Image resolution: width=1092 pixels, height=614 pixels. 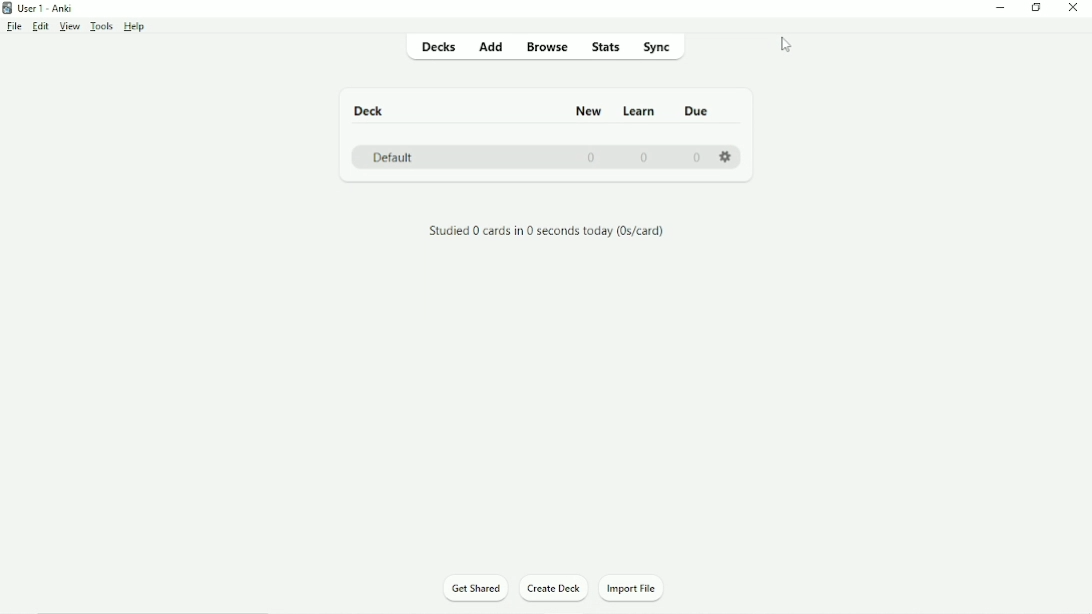 What do you see at coordinates (632, 589) in the screenshot?
I see `Import File` at bounding box center [632, 589].